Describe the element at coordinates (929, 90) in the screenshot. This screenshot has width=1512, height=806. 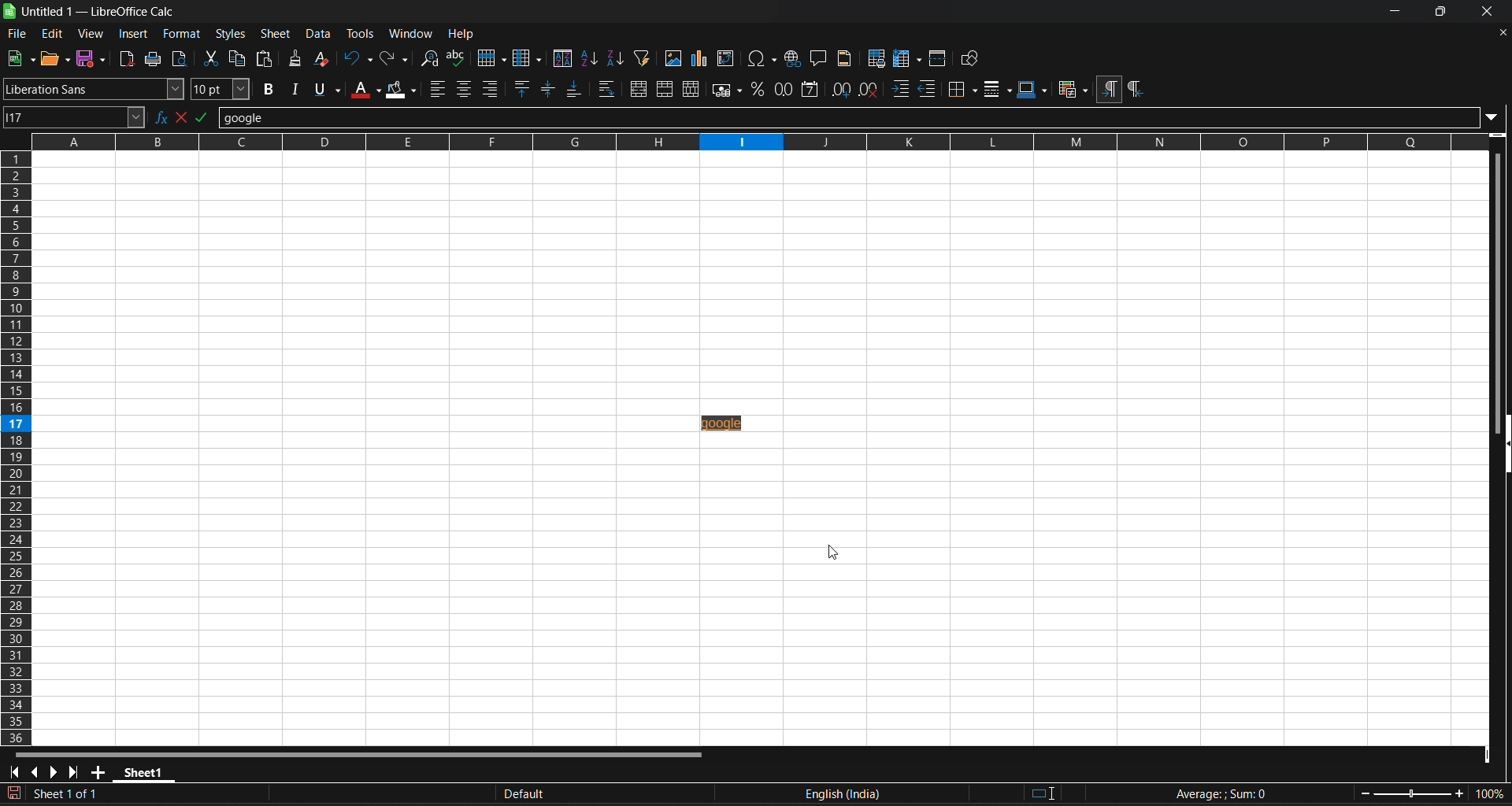
I see `decrease indent` at that location.